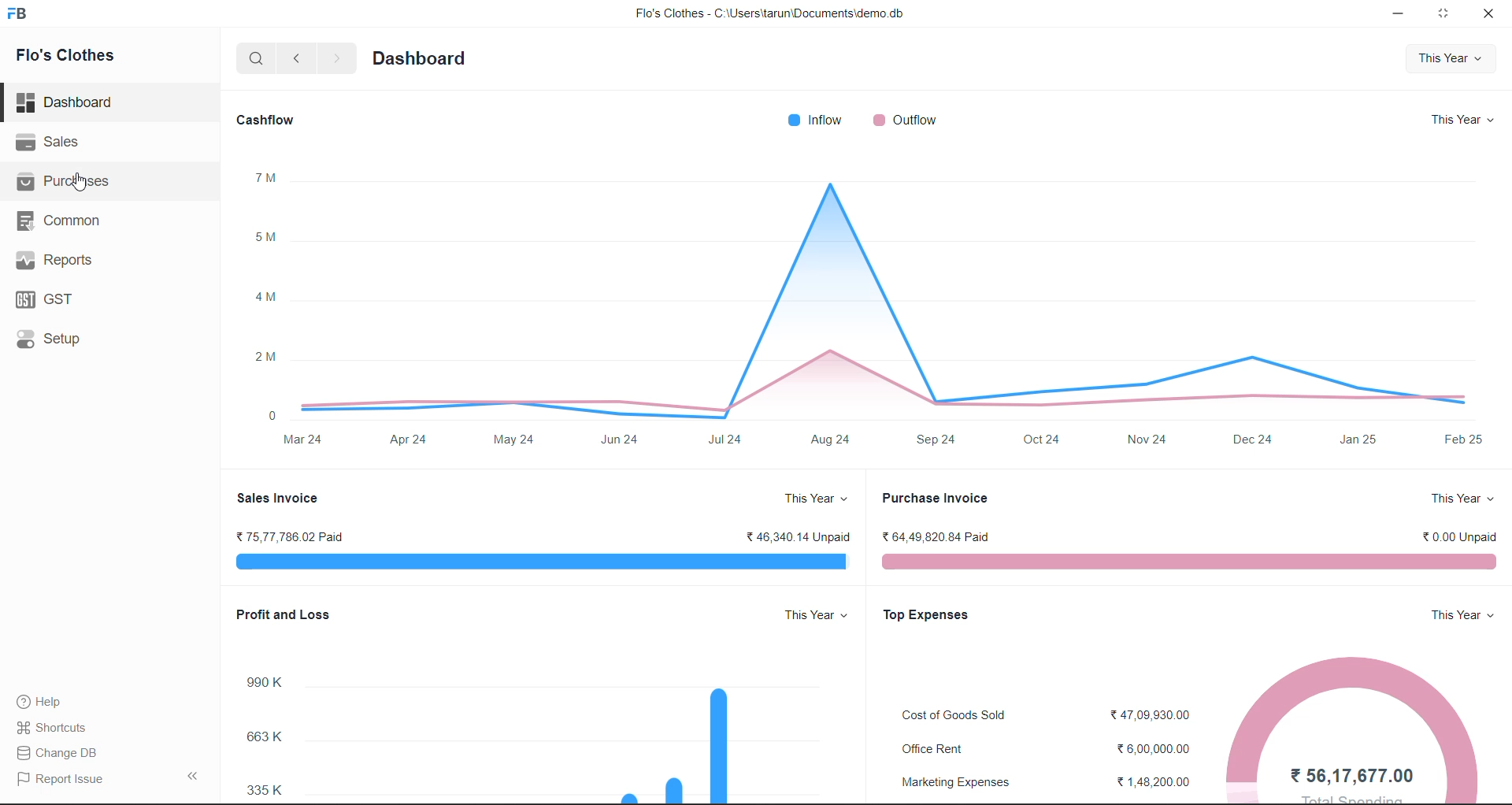  Describe the element at coordinates (269, 359) in the screenshot. I see `2M` at that location.